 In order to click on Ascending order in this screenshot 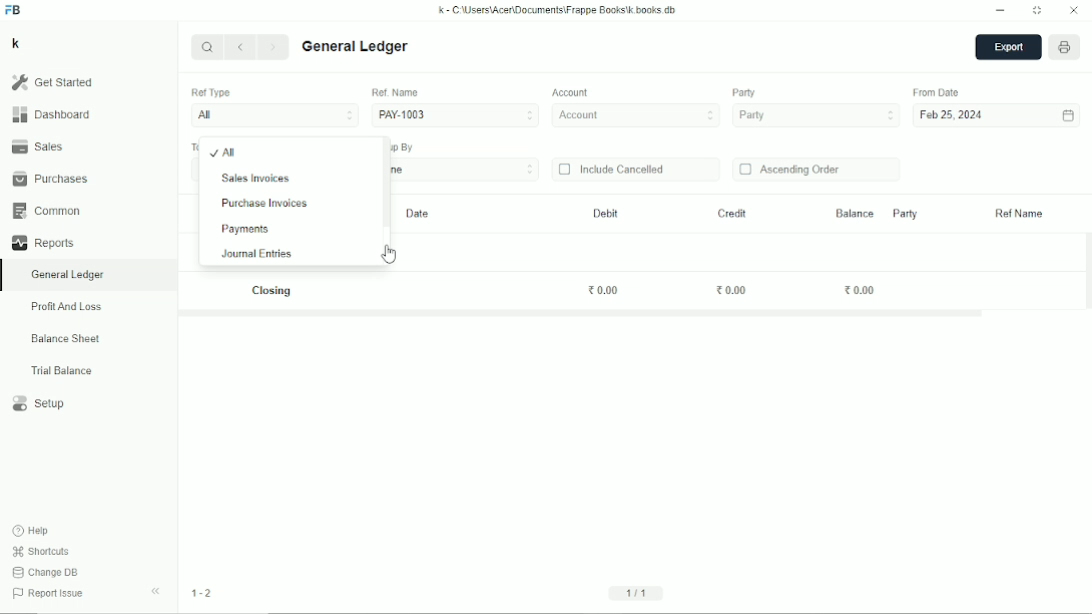, I will do `click(790, 170)`.